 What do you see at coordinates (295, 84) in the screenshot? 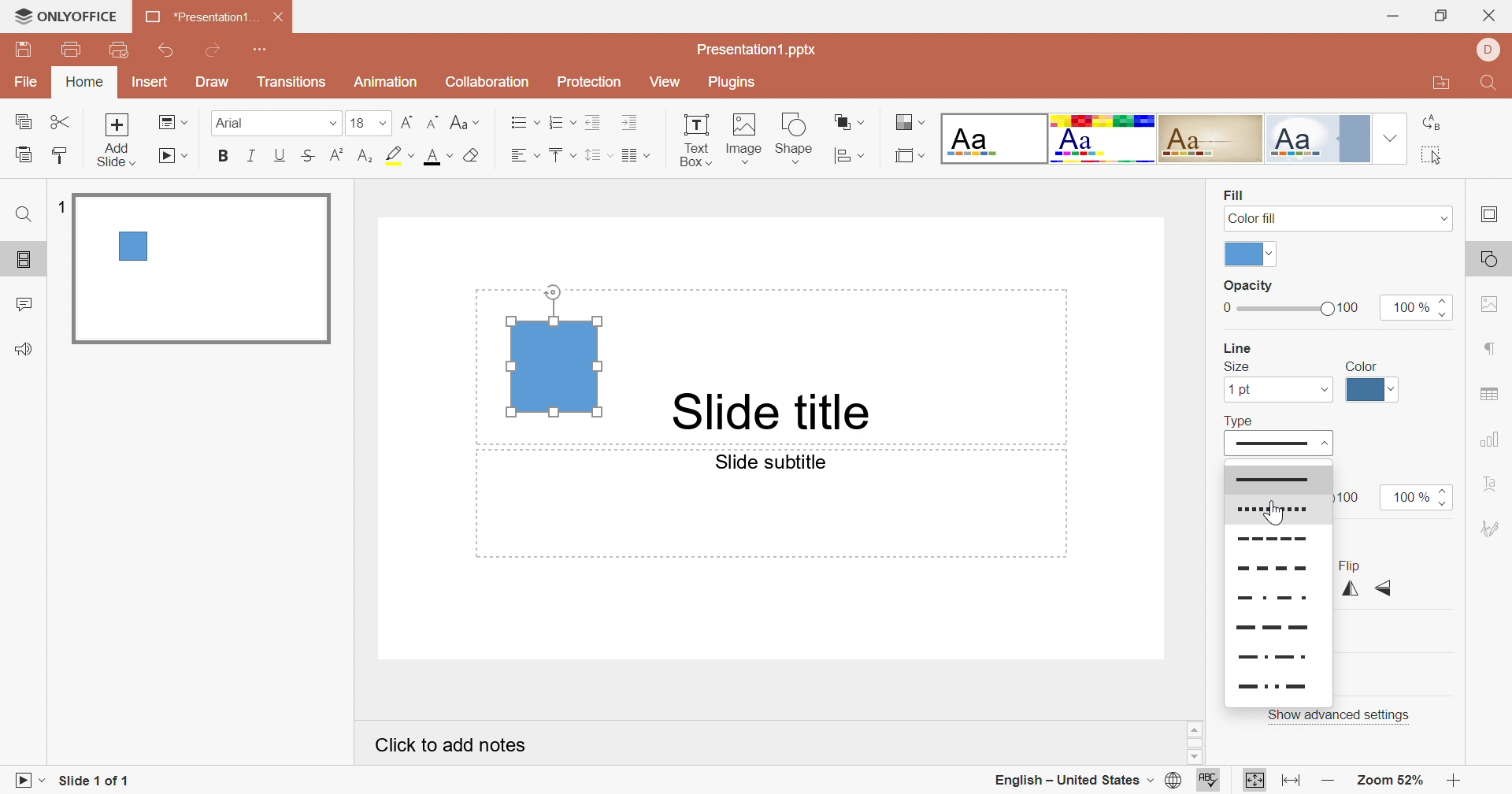
I see `Transitions` at bounding box center [295, 84].